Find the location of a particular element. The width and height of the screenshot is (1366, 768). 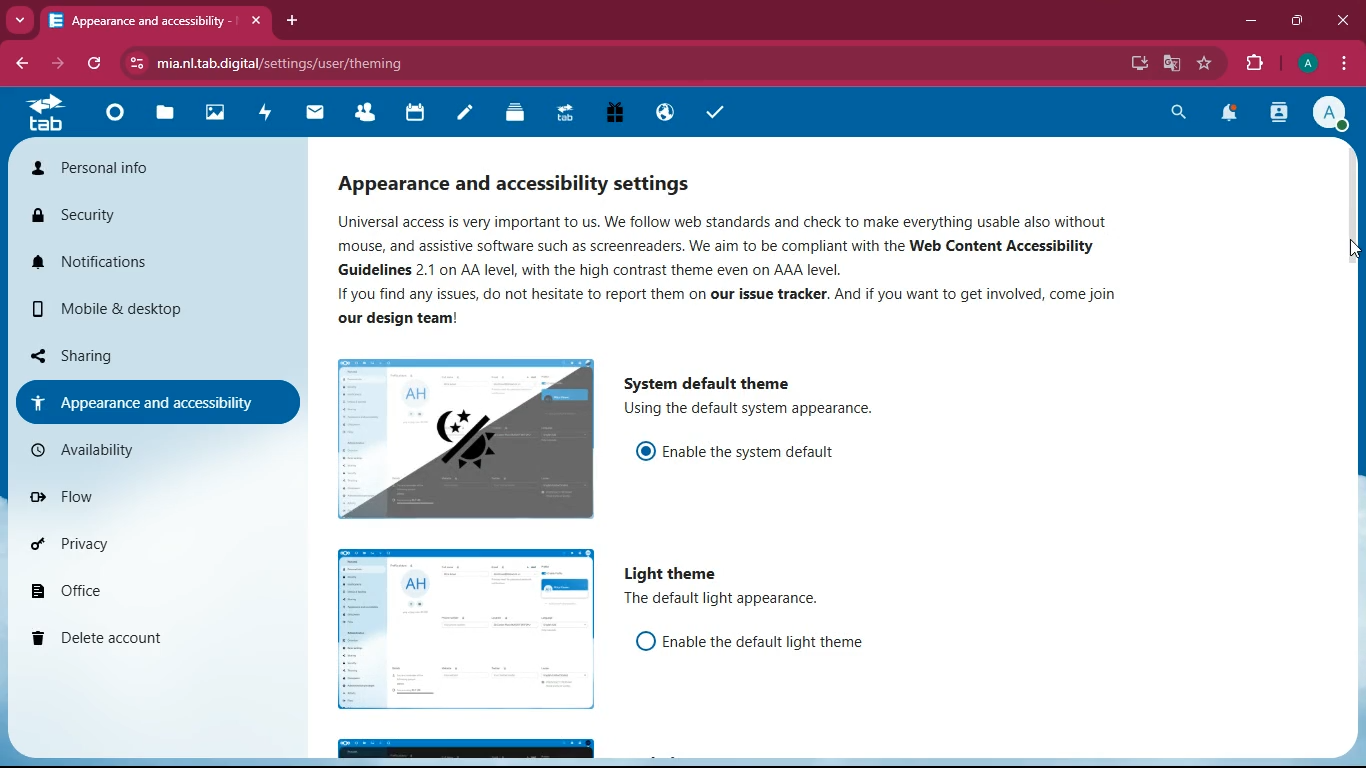

menu is located at coordinates (1341, 62).